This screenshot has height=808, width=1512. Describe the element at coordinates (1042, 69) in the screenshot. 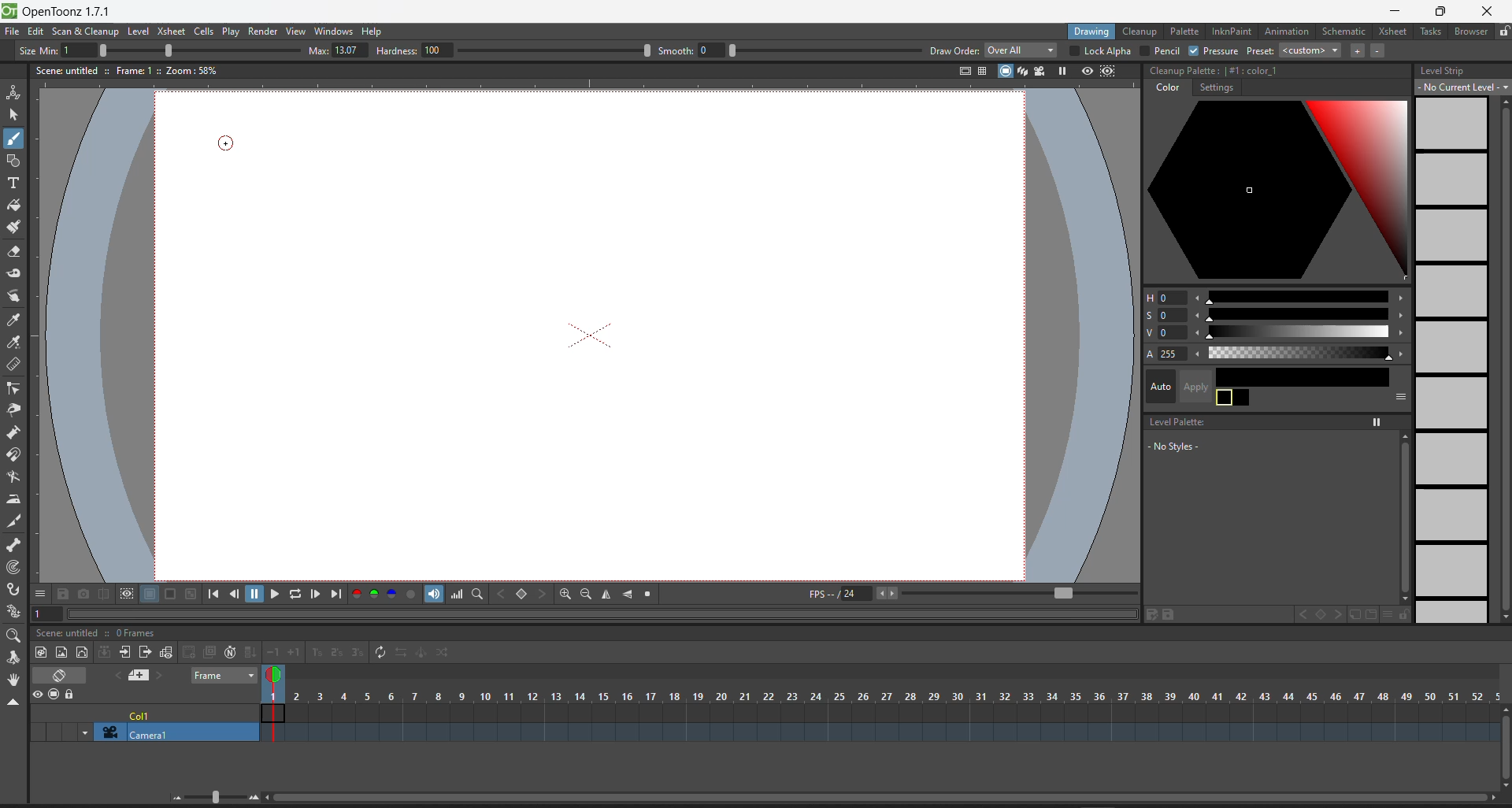

I see `camera view` at that location.